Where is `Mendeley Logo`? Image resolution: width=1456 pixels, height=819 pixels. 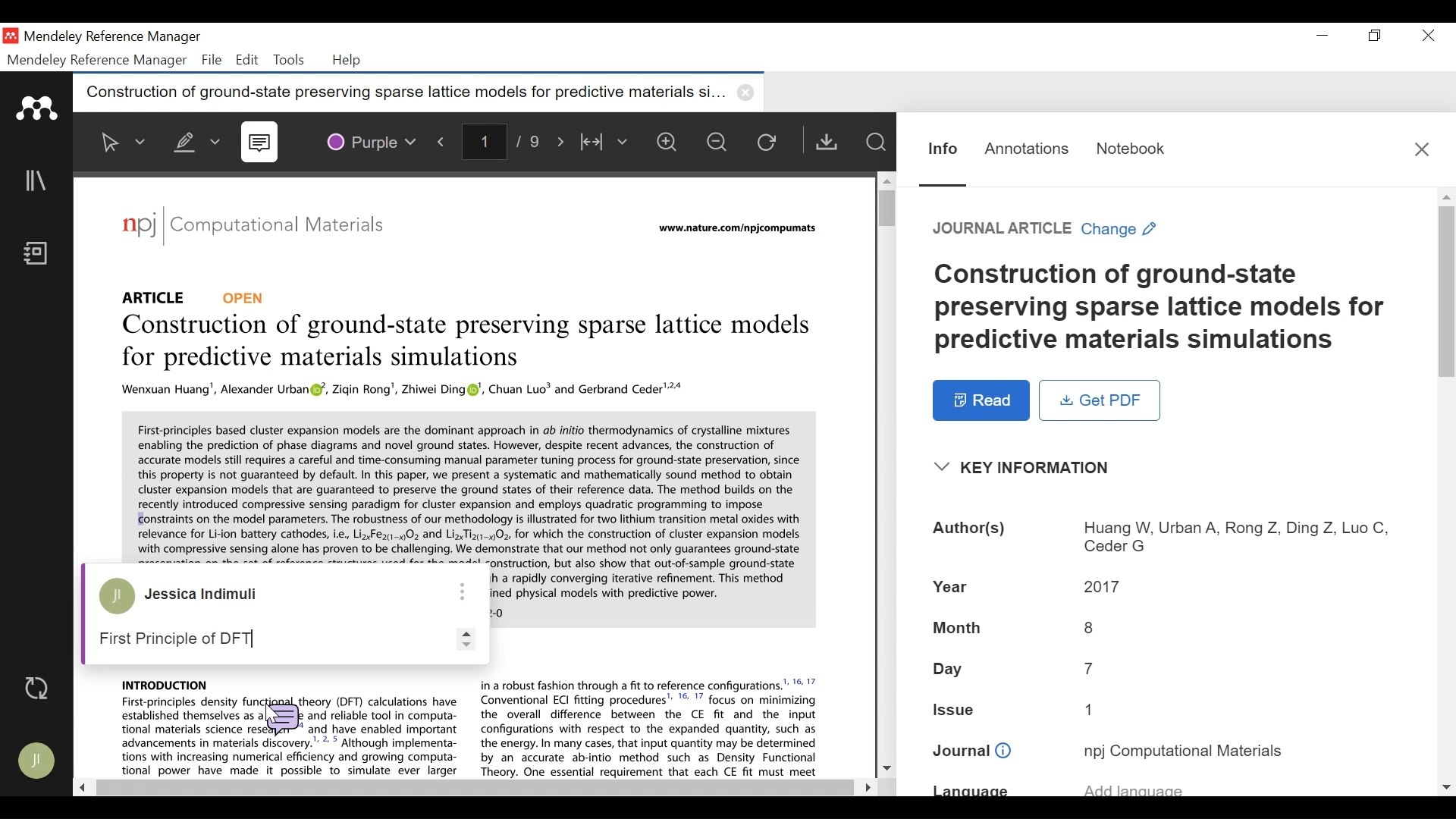
Mendeley Logo is located at coordinates (38, 108).